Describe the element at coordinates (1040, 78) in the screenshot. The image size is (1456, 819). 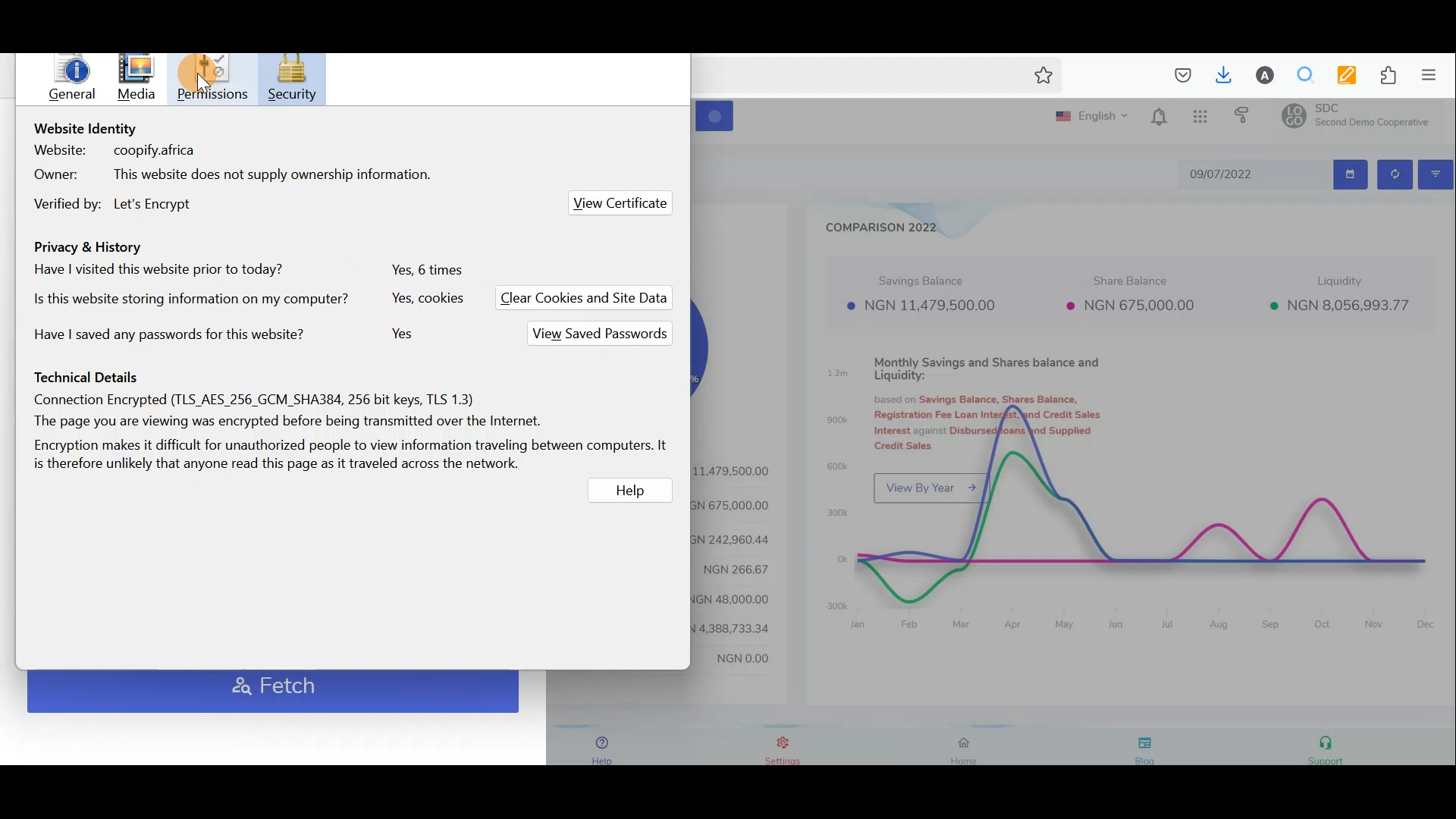
I see `Bookmark this page` at that location.